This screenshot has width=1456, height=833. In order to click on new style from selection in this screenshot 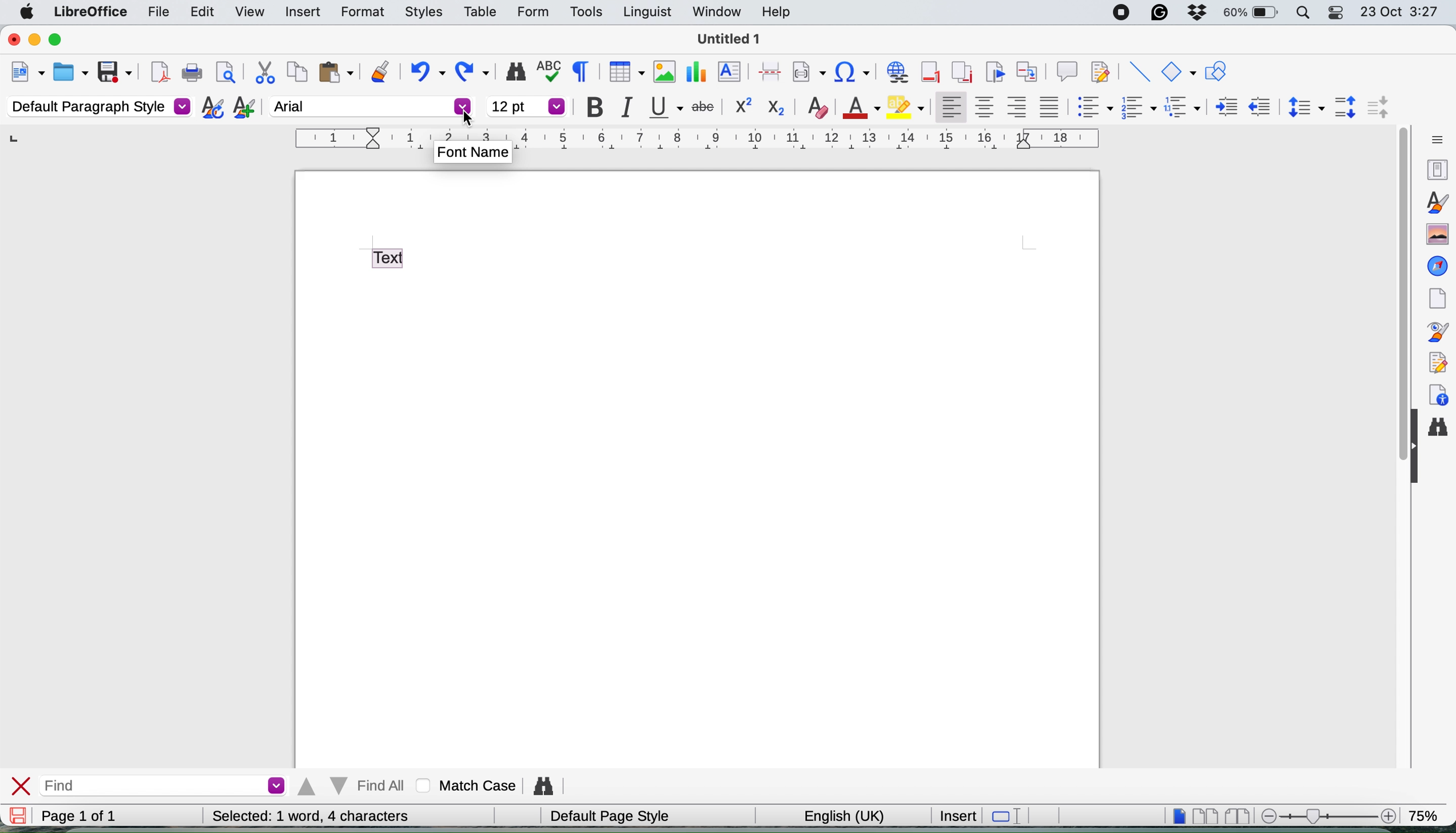, I will do `click(242, 109)`.